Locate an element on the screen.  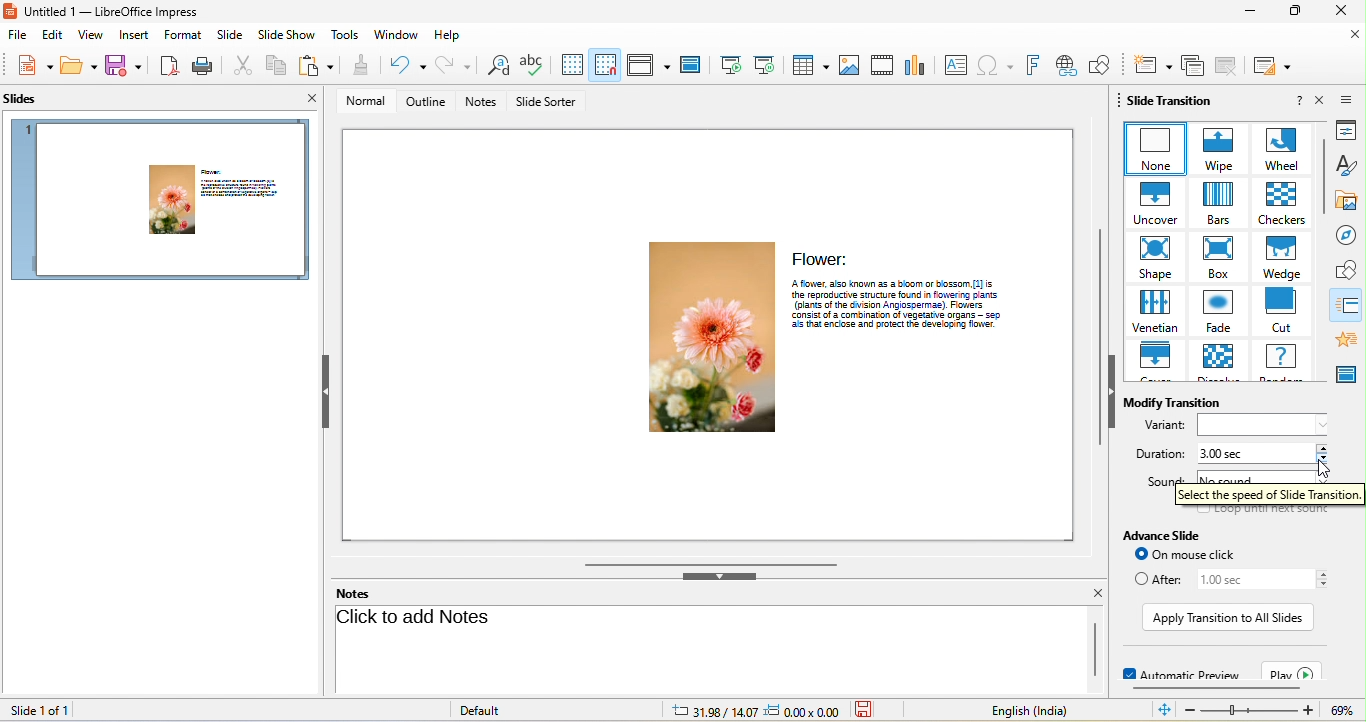
new is located at coordinates (31, 68).